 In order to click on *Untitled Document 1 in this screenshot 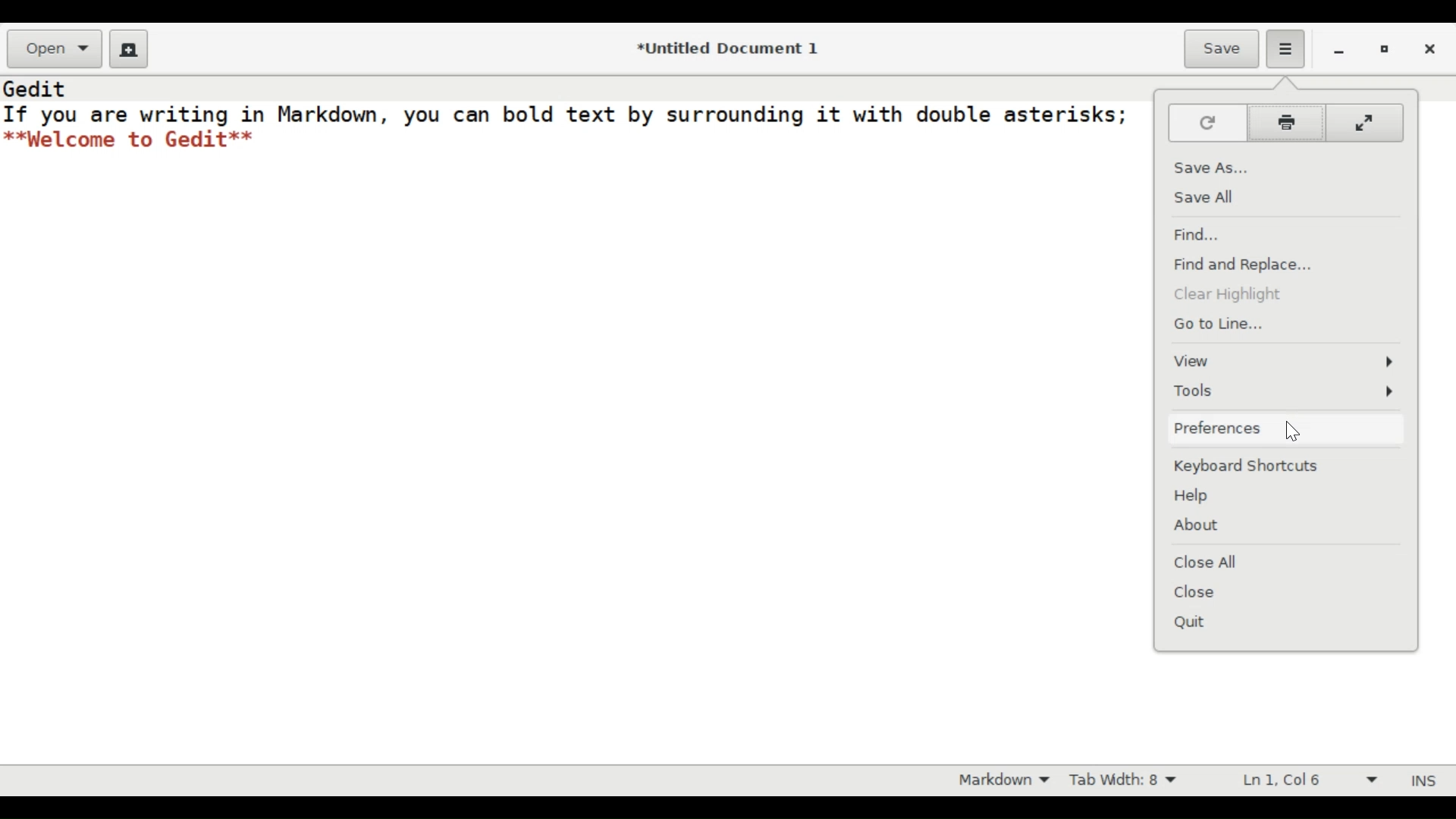, I will do `click(733, 50)`.